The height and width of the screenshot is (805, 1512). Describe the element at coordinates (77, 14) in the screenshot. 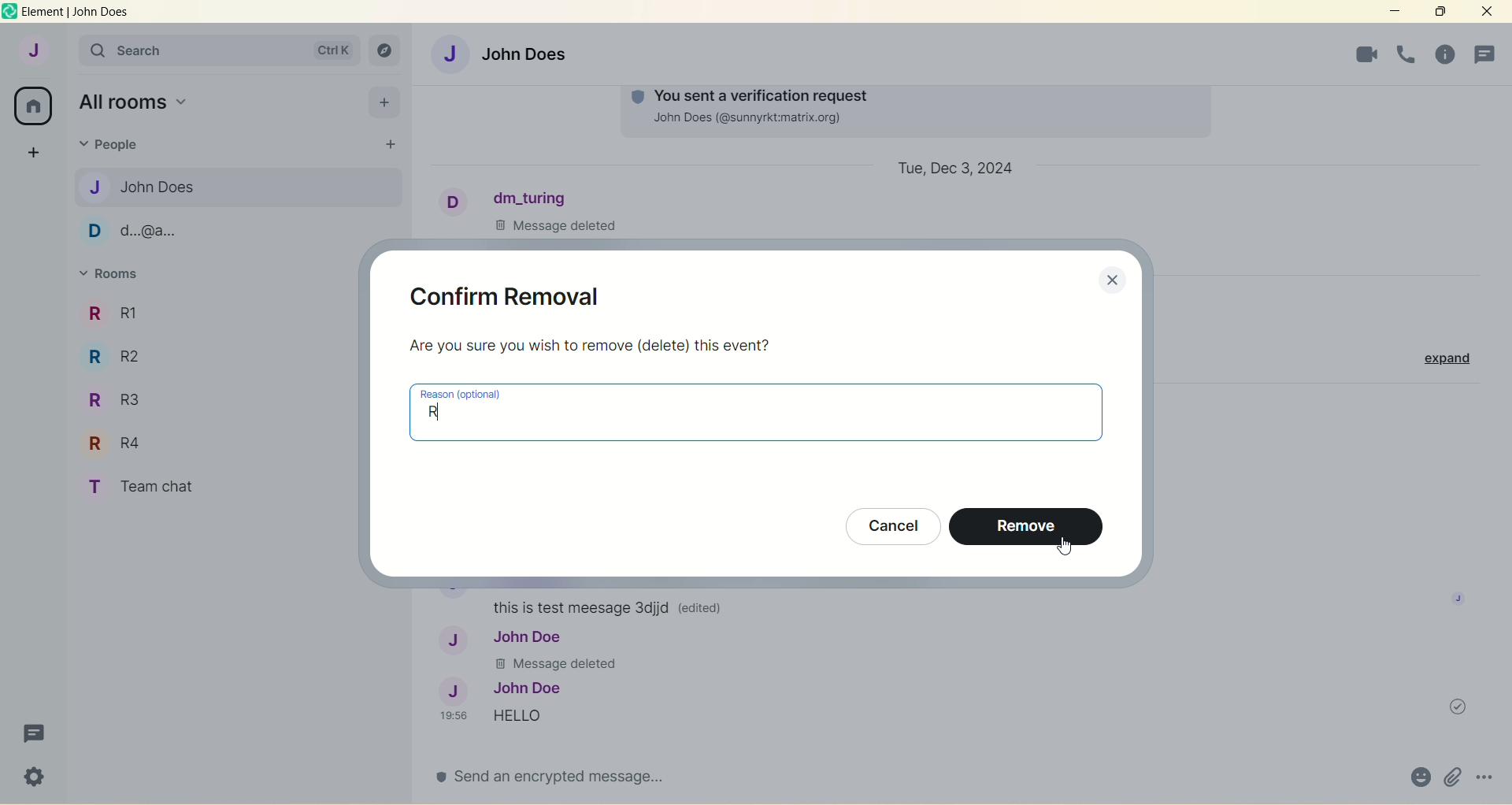

I see `element` at that location.